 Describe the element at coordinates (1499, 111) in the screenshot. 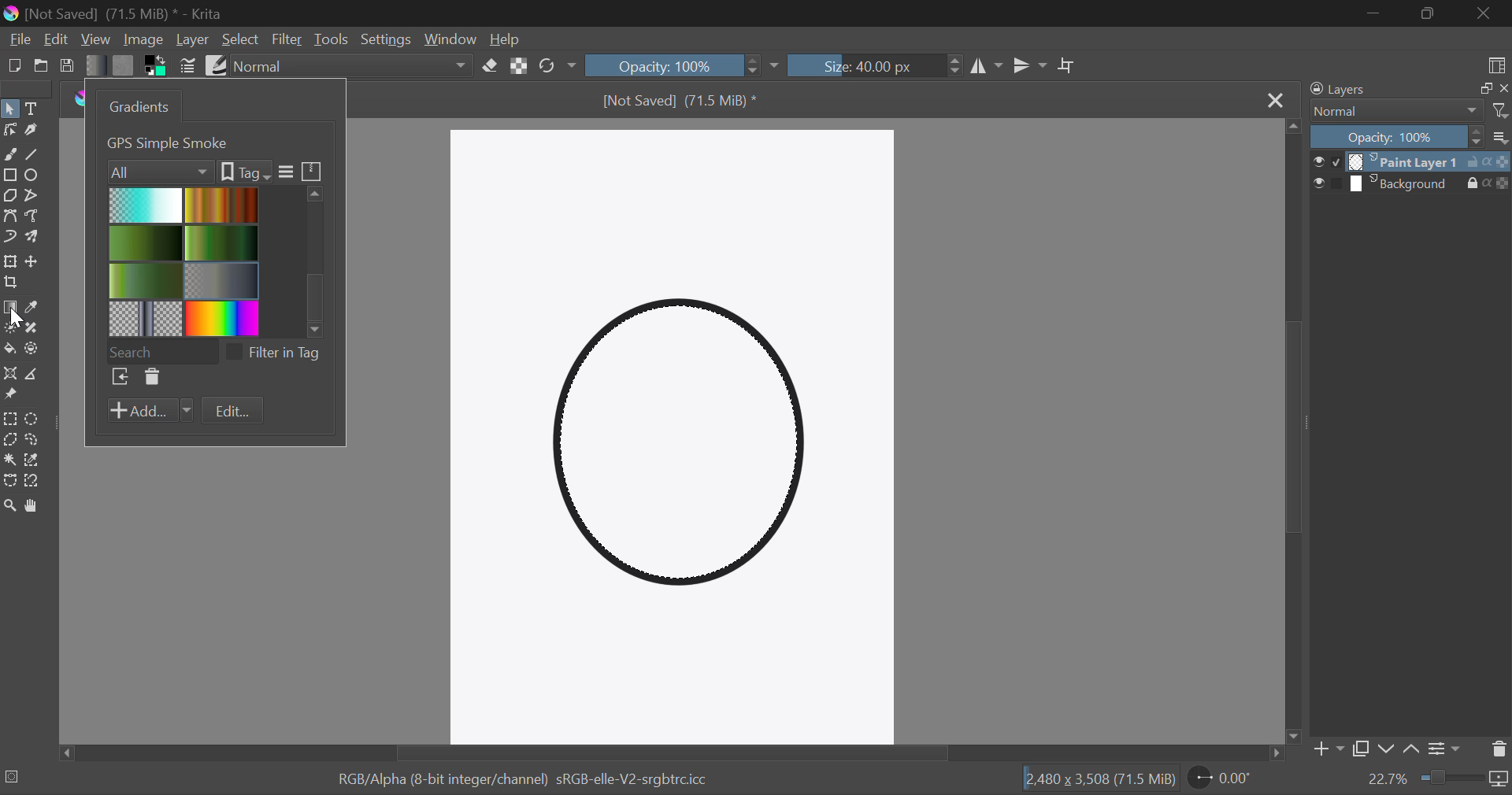

I see `filter` at that location.